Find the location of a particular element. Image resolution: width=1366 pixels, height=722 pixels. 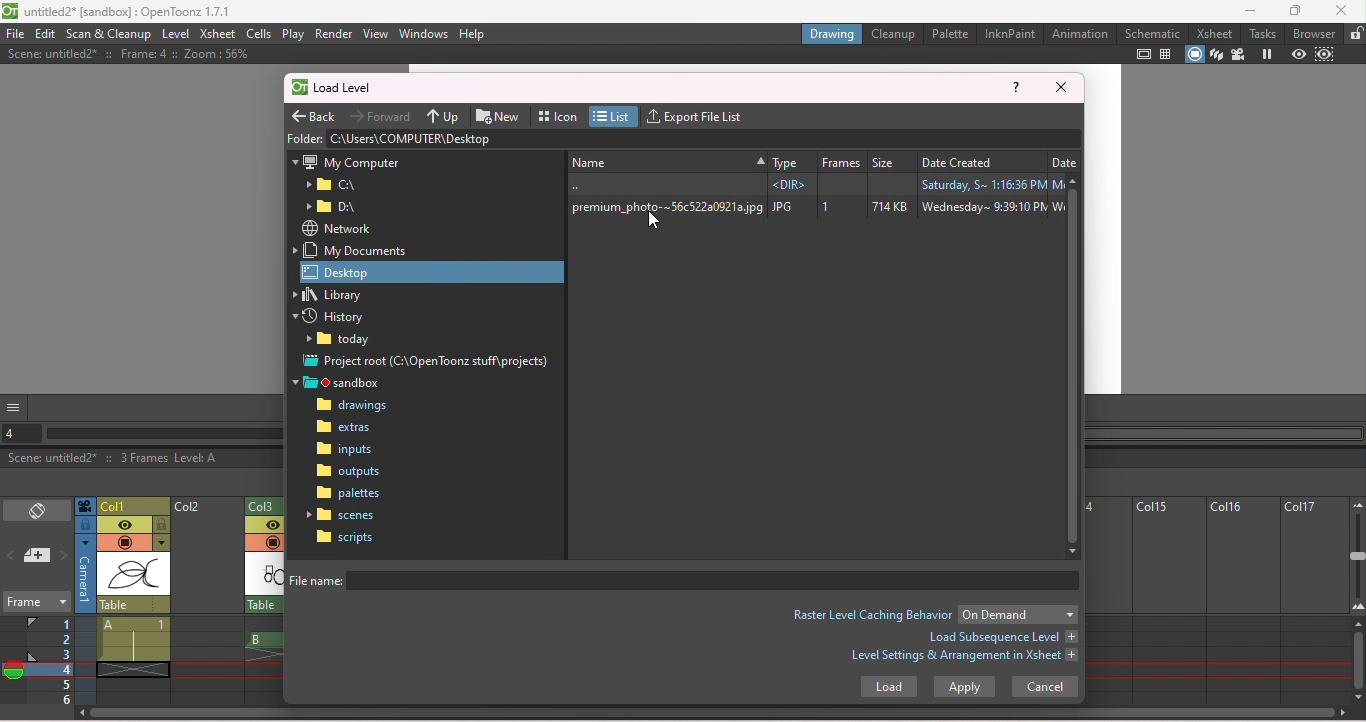

Outputs is located at coordinates (348, 471).